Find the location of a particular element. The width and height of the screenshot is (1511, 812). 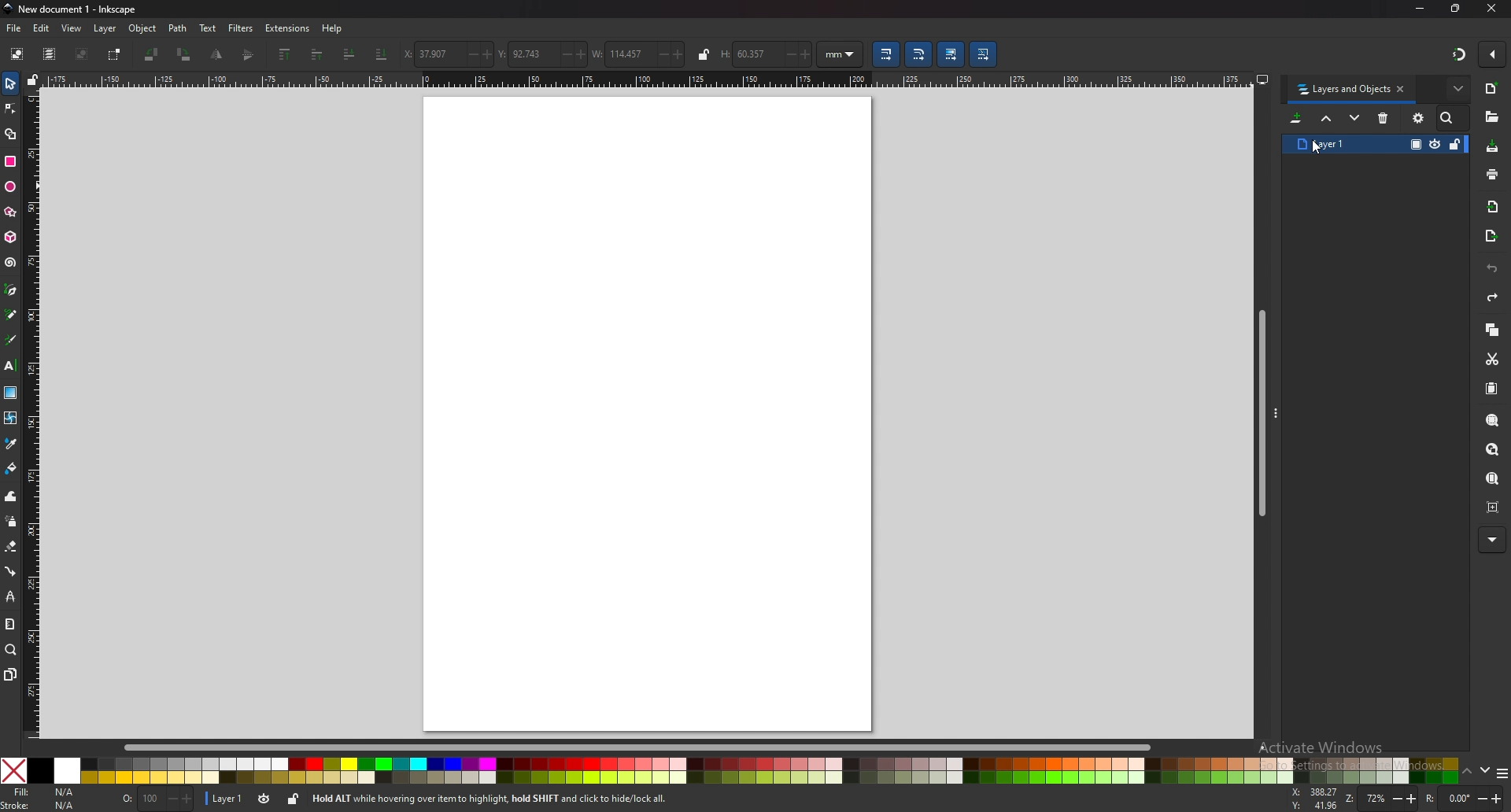

decrease is located at coordinates (563, 54).